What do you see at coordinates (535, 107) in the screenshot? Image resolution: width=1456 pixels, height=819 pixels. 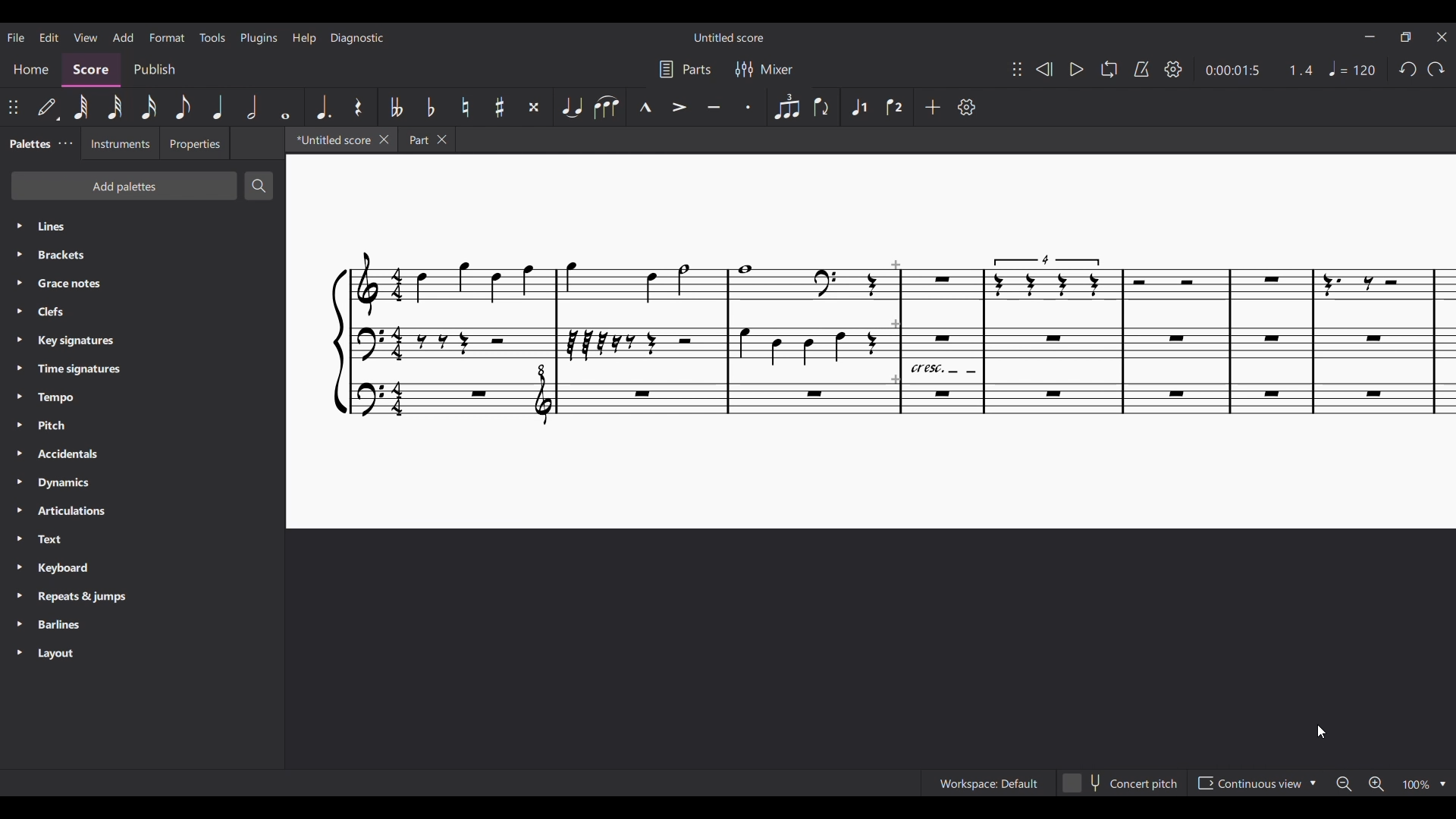 I see `Toggle double sharp` at bounding box center [535, 107].